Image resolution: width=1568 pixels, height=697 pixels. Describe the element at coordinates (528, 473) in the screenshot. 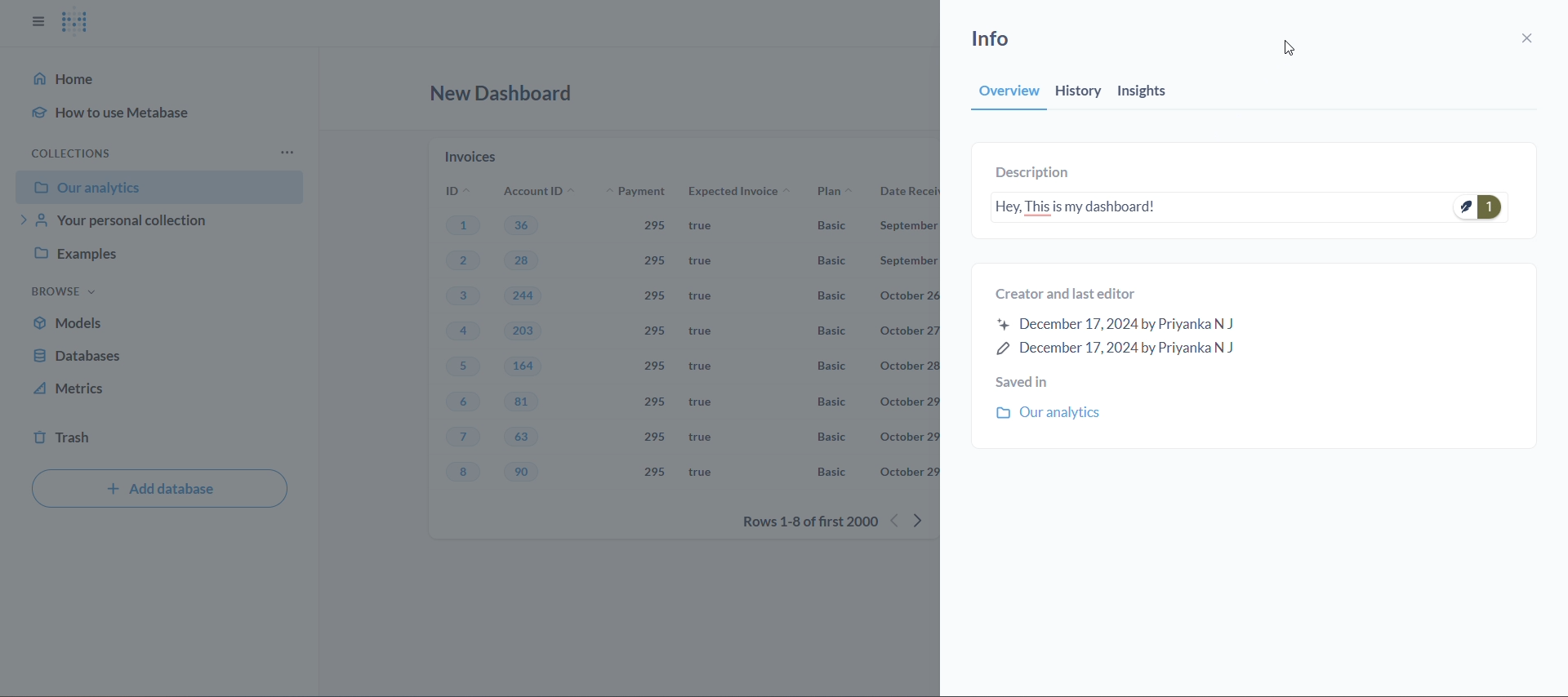

I see `90` at that location.